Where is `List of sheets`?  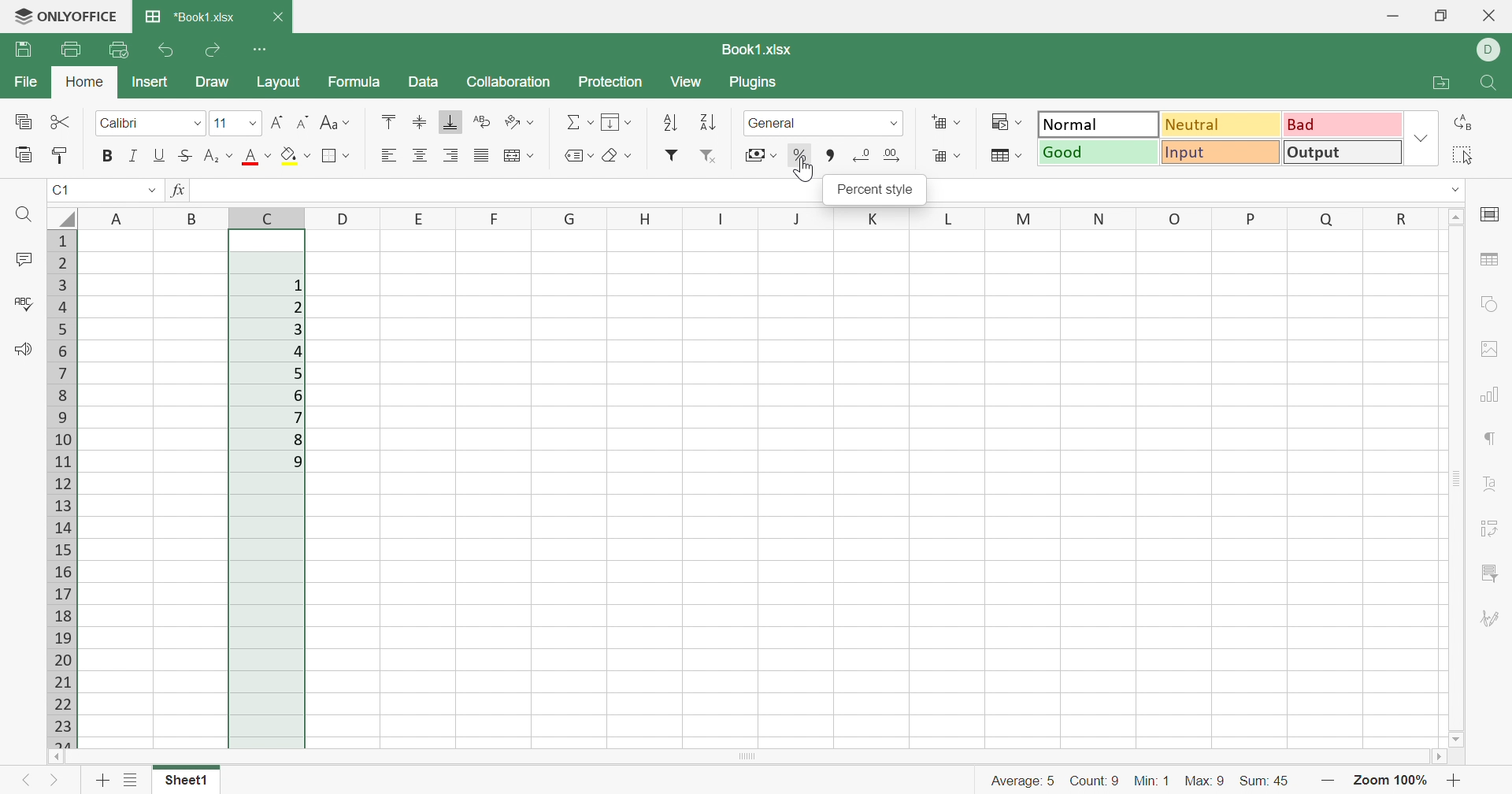 List of sheets is located at coordinates (131, 778).